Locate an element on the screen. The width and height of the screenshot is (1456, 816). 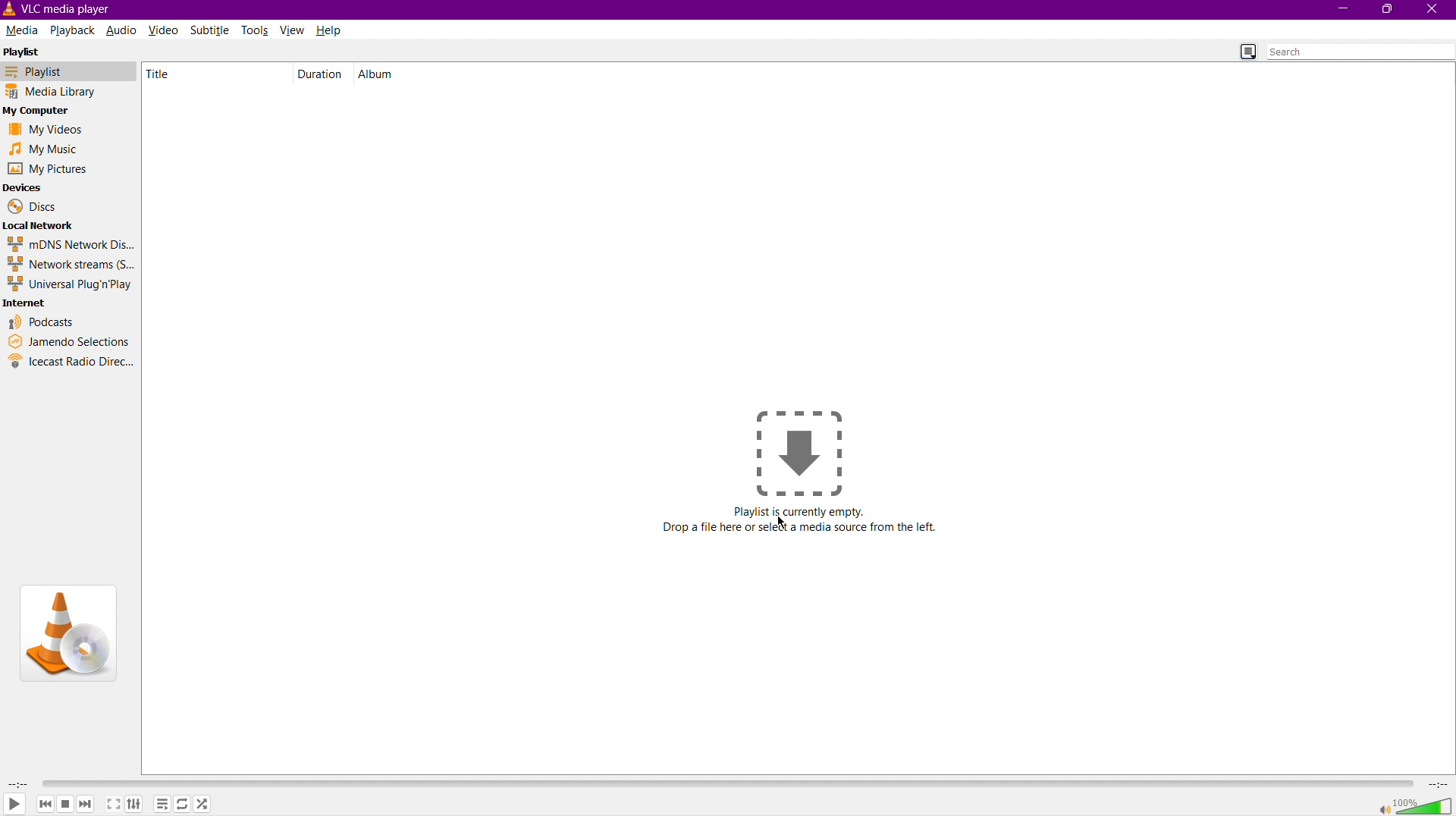
My Computer is located at coordinates (45, 112).